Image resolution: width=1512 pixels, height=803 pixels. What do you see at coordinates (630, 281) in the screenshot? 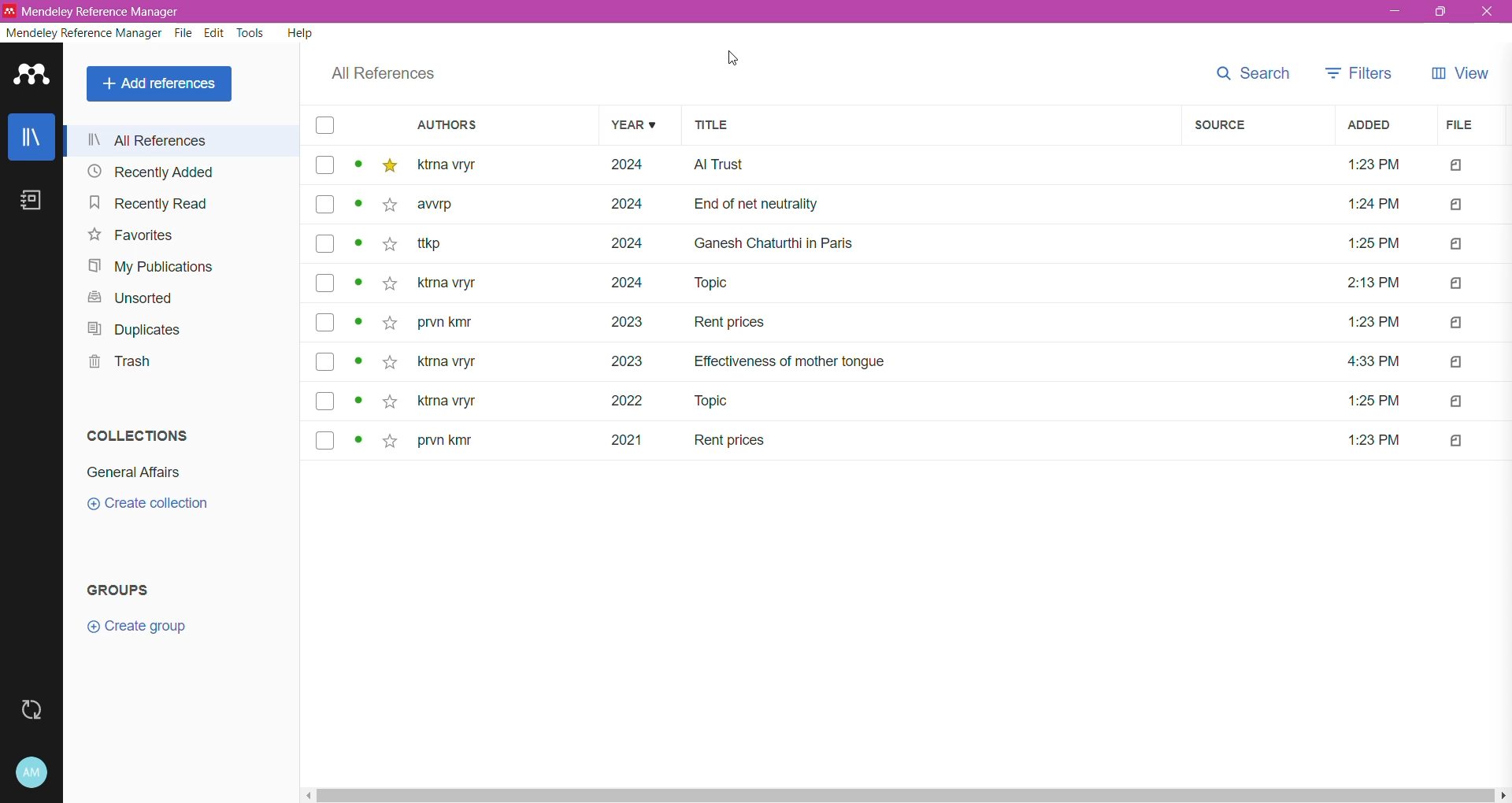
I see `2024` at bounding box center [630, 281].